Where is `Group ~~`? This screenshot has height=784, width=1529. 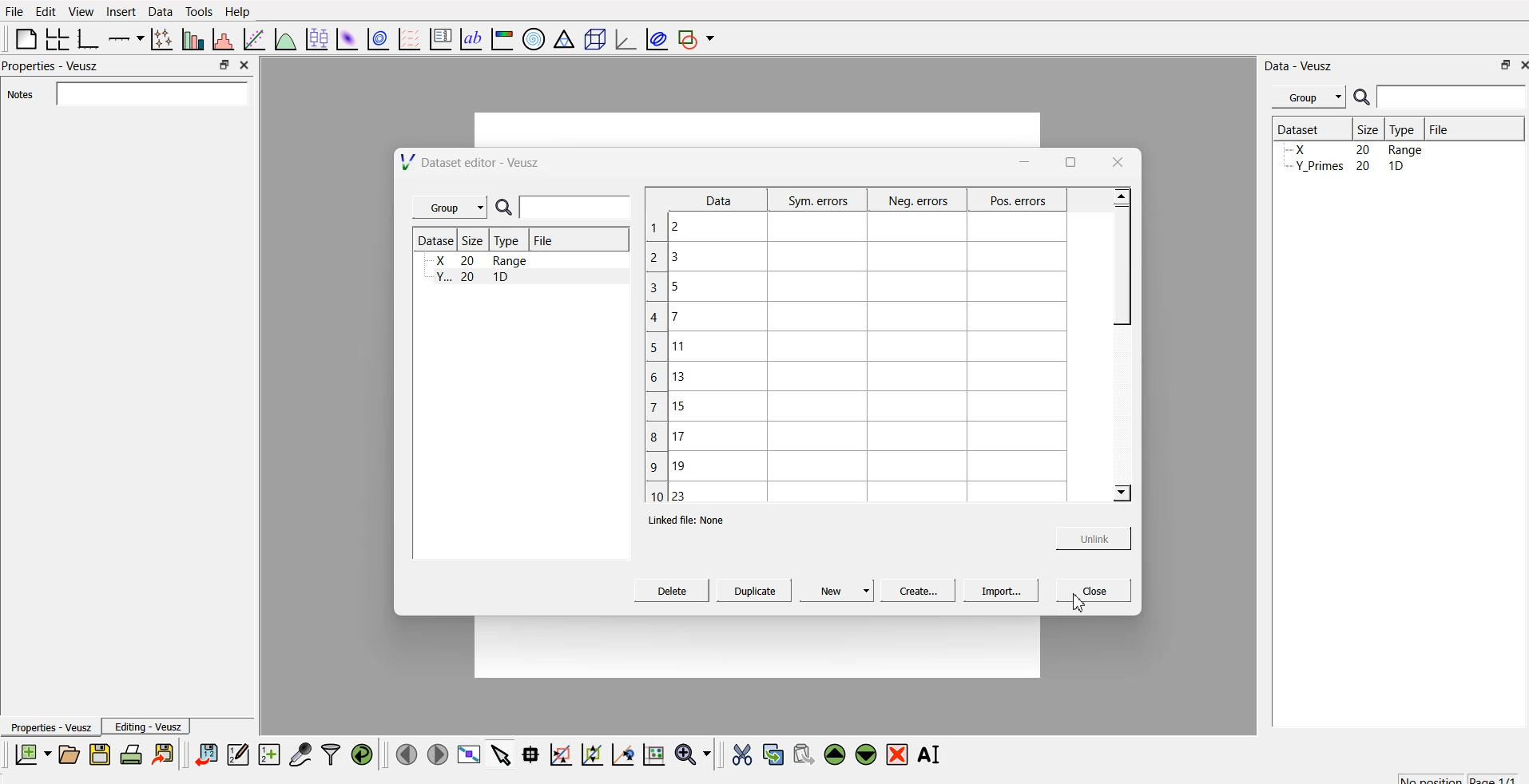 Group ~~ is located at coordinates (449, 208).